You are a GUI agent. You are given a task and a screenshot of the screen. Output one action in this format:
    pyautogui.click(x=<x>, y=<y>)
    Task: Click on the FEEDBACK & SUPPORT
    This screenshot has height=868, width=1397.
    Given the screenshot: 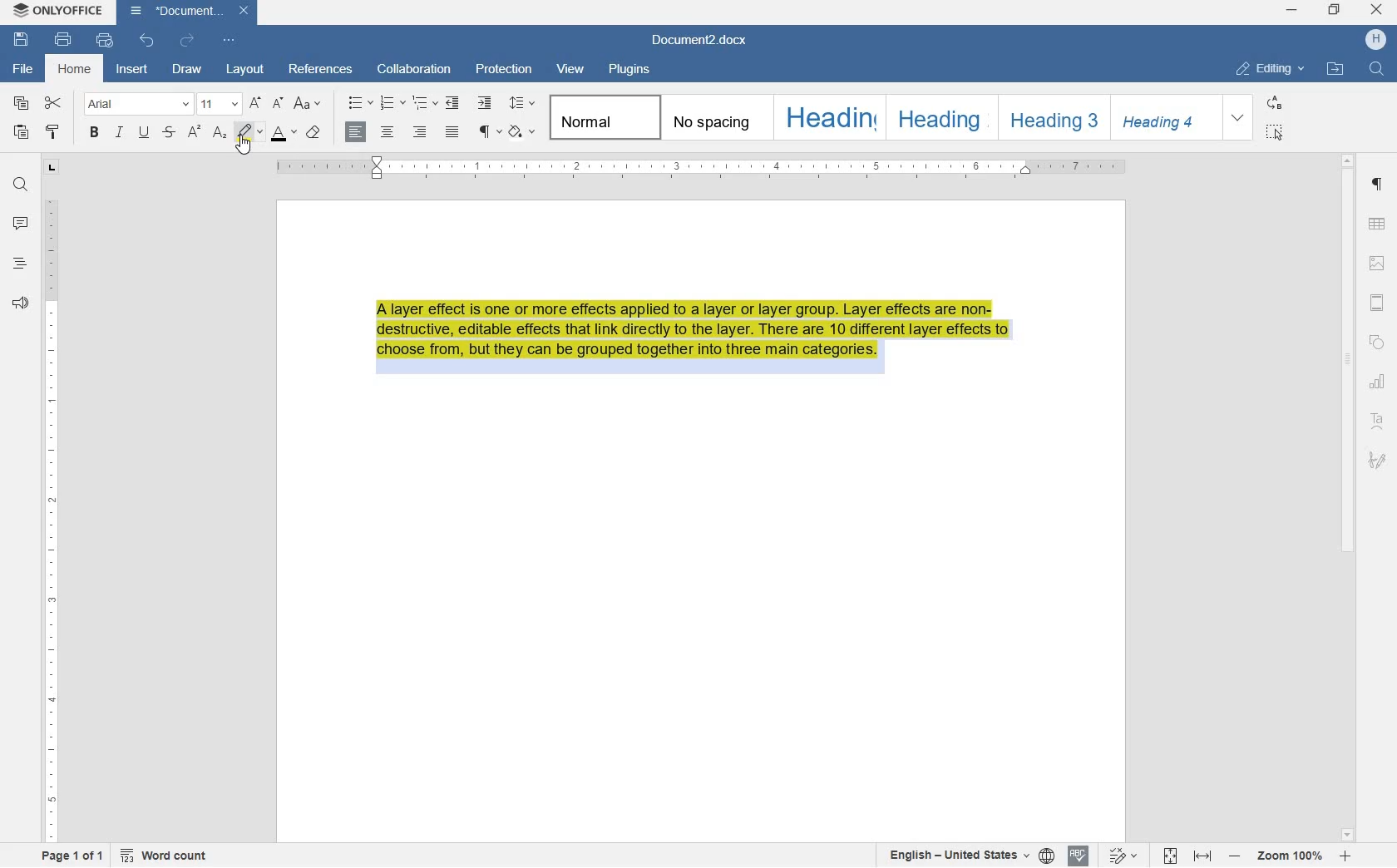 What is the action you would take?
    pyautogui.click(x=19, y=303)
    